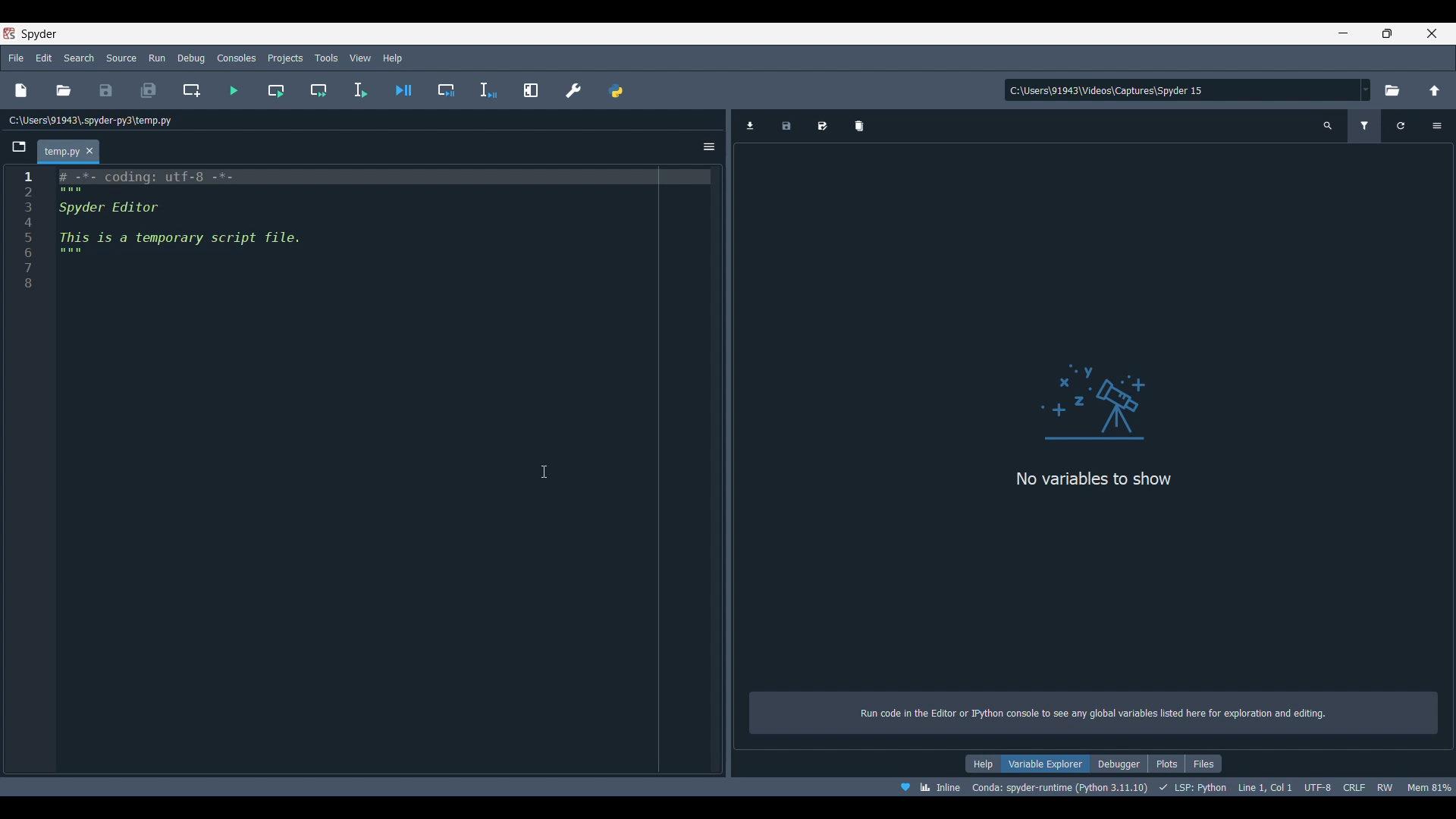 Image resolution: width=1456 pixels, height=819 pixels. Describe the element at coordinates (532, 90) in the screenshot. I see `Maximize current pane` at that location.